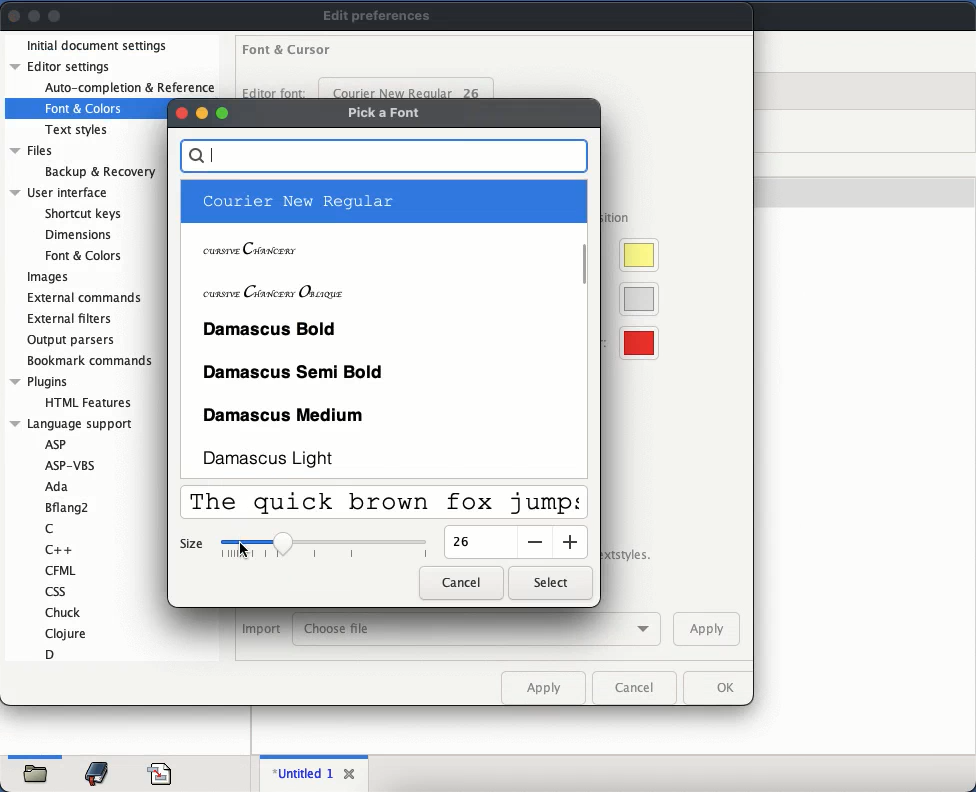 The height and width of the screenshot is (792, 976). I want to click on text styles, so click(79, 129).